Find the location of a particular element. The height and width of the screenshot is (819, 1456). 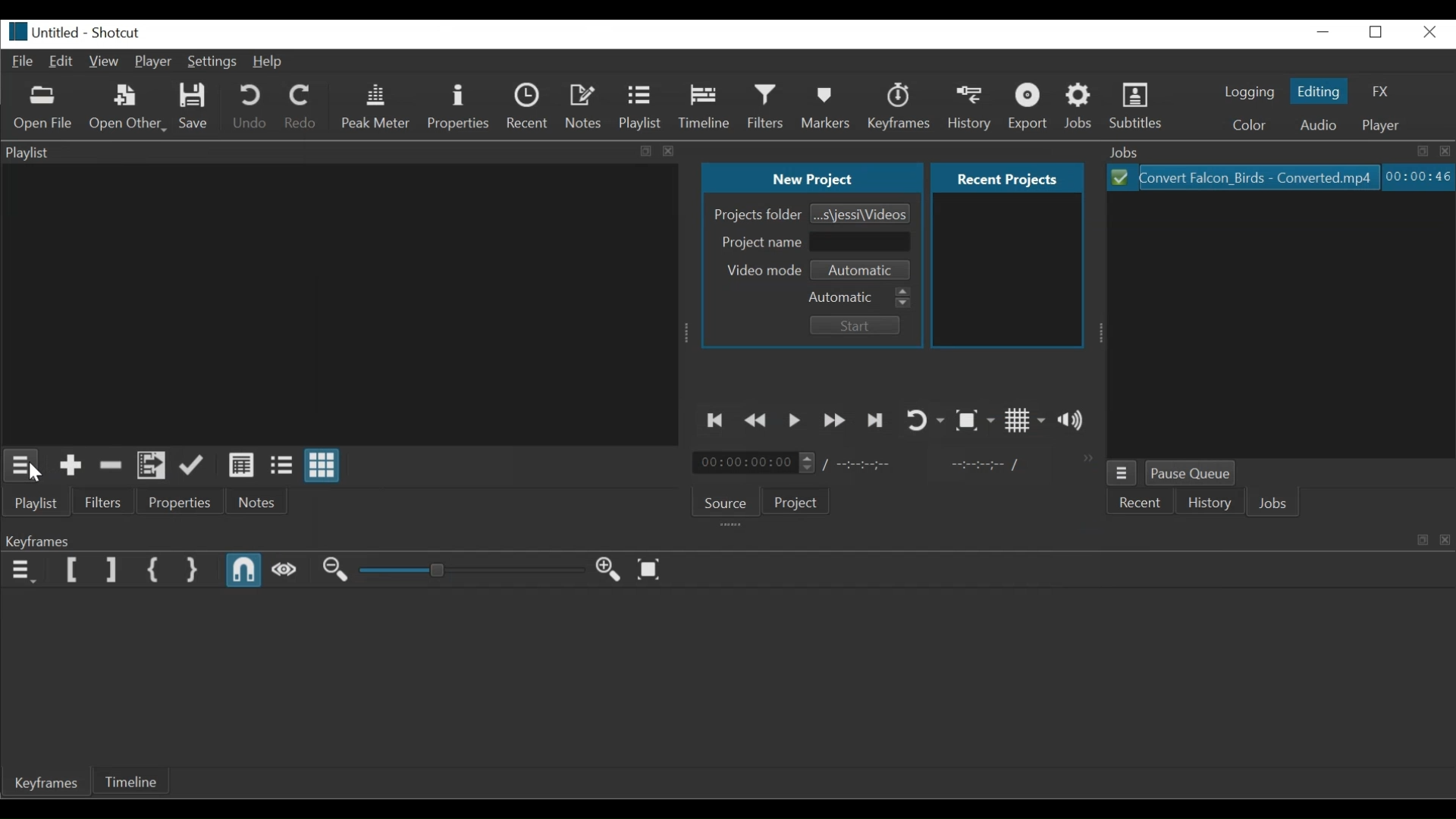

Automatic is located at coordinates (861, 298).